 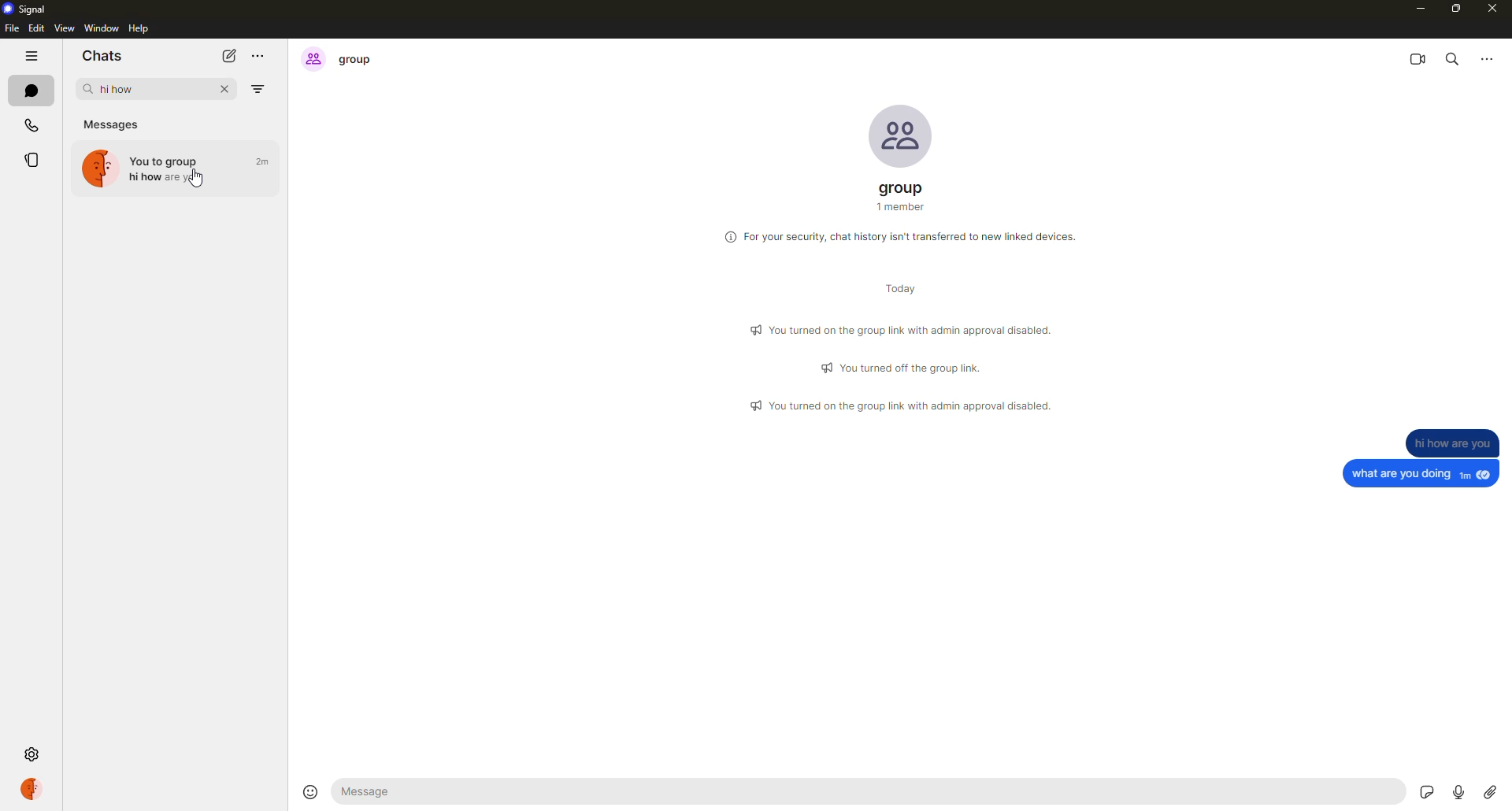 I want to click on profile pic, so click(x=899, y=135).